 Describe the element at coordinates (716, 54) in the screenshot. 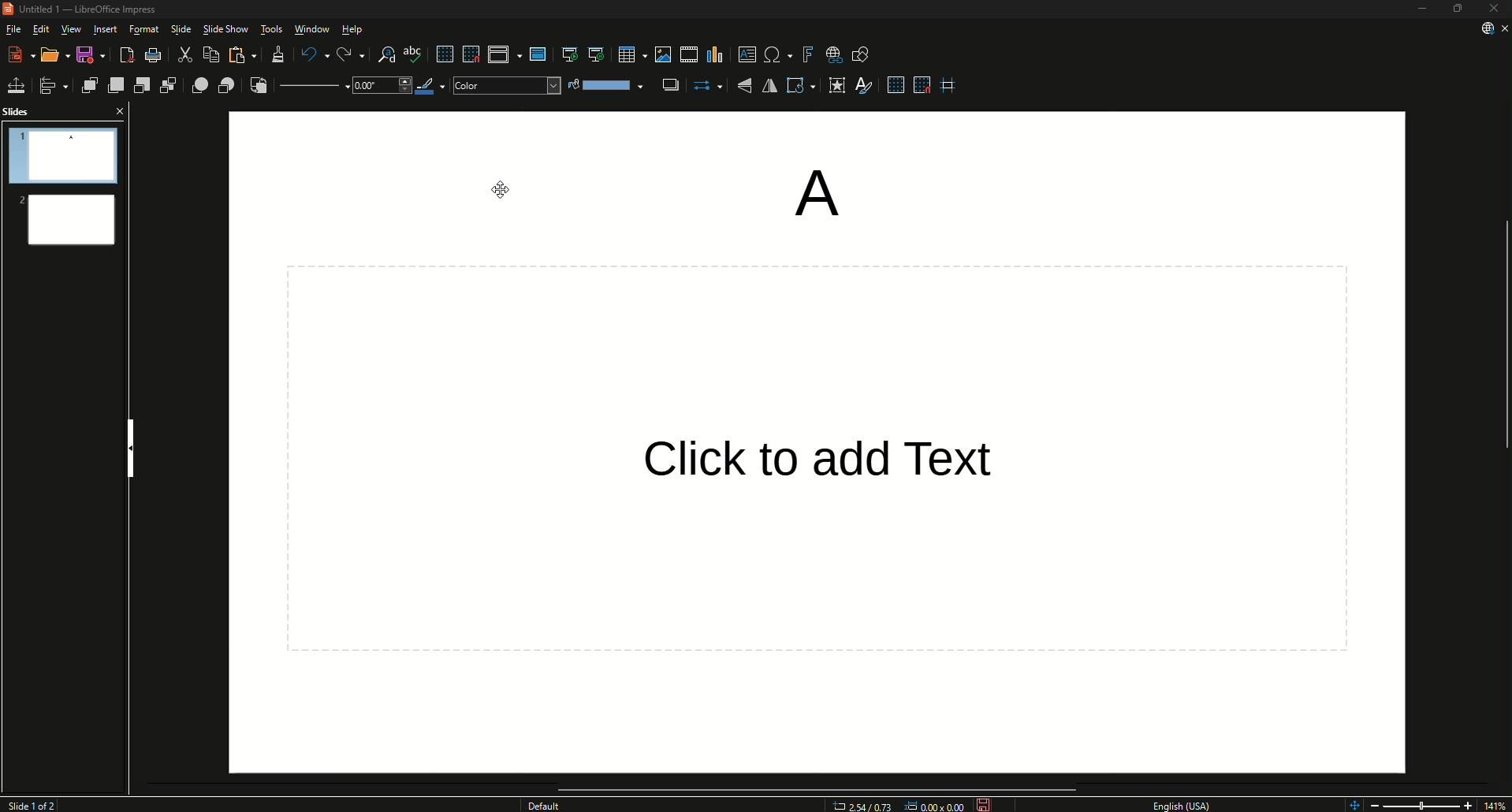

I see `Insert Chart` at that location.